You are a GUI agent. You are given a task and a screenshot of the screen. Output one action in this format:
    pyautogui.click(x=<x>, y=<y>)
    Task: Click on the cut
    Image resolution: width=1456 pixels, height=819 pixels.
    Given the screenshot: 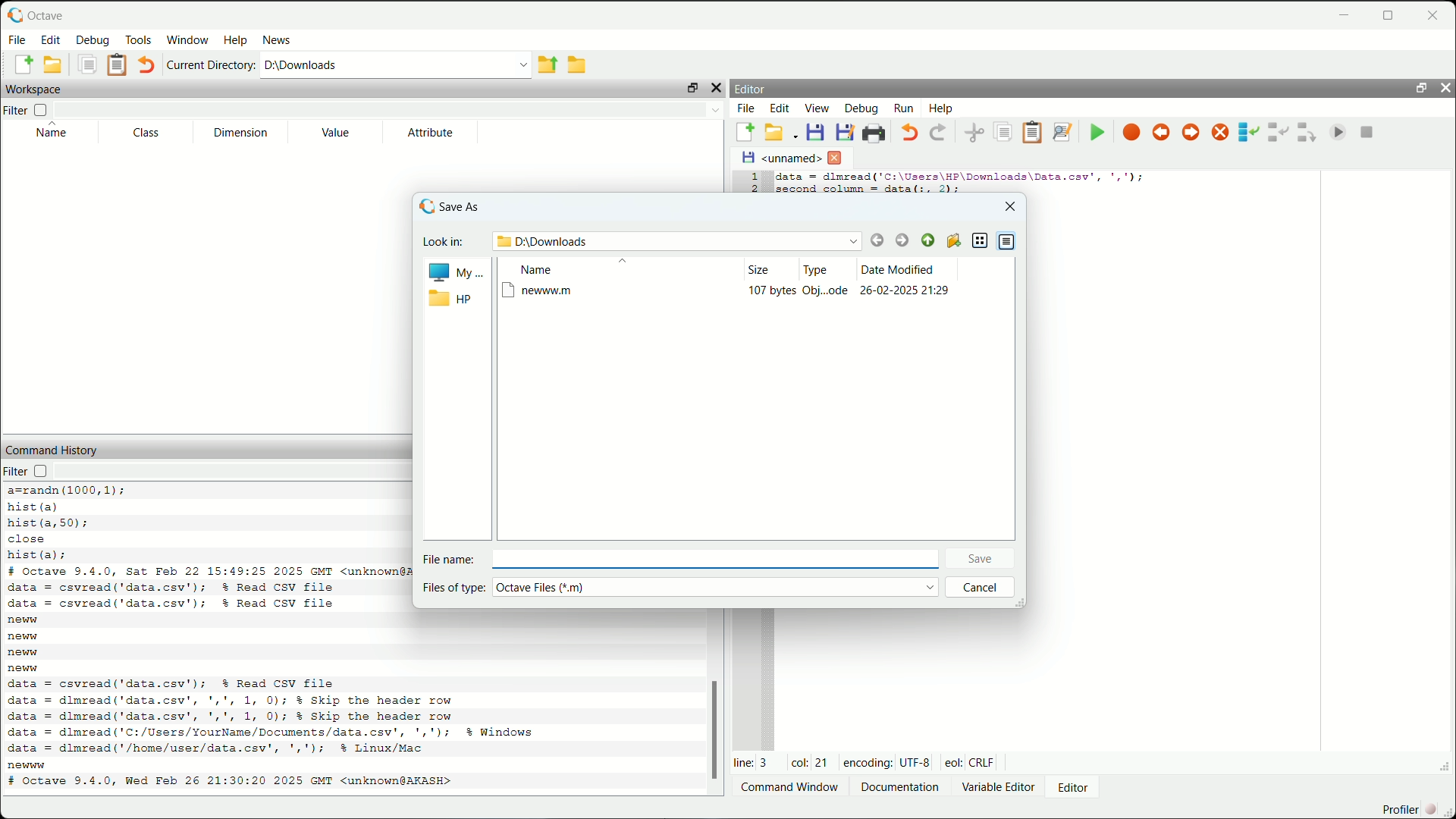 What is the action you would take?
    pyautogui.click(x=977, y=134)
    